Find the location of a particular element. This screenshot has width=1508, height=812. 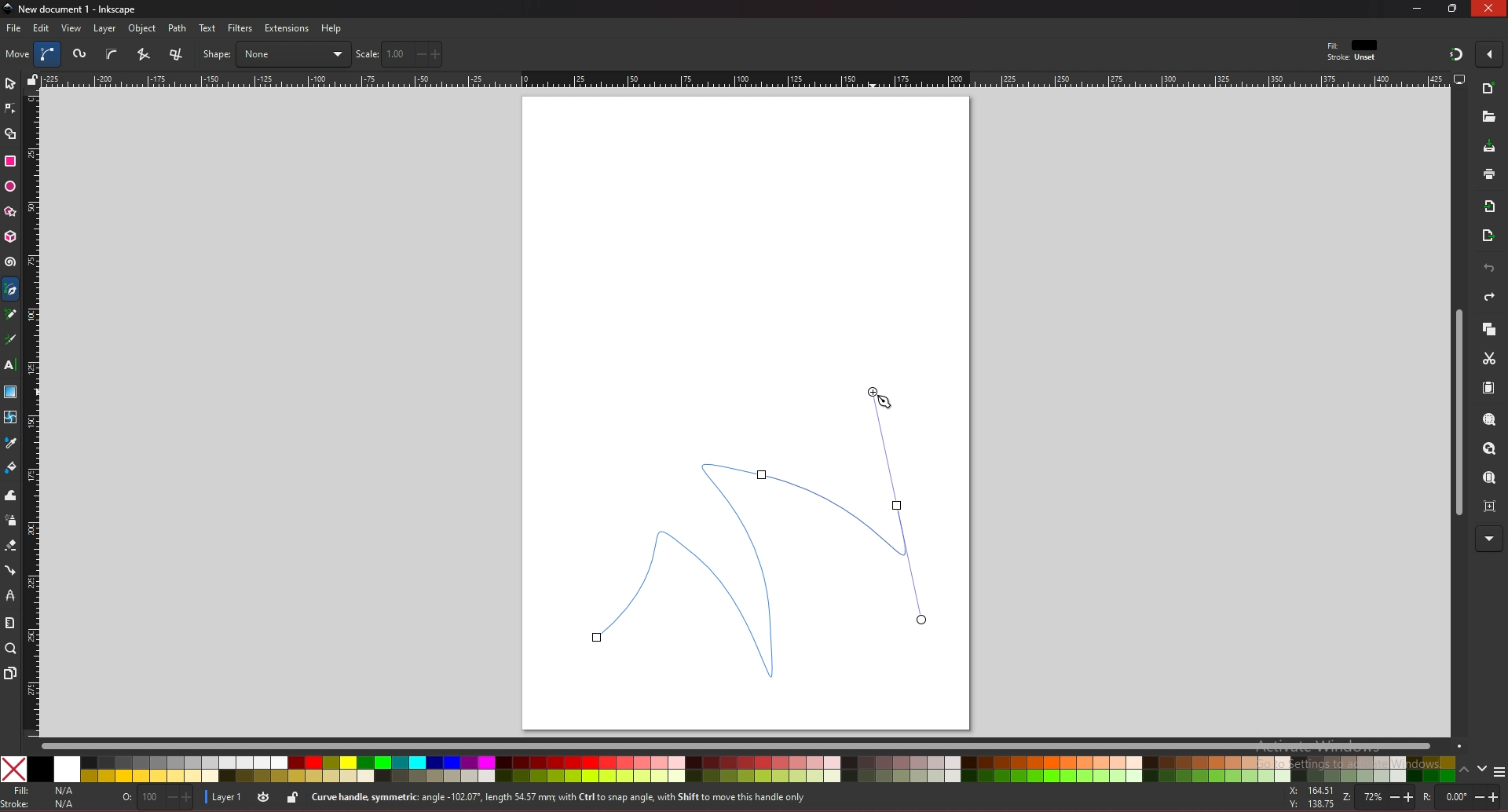

opacity is located at coordinates (159, 799).